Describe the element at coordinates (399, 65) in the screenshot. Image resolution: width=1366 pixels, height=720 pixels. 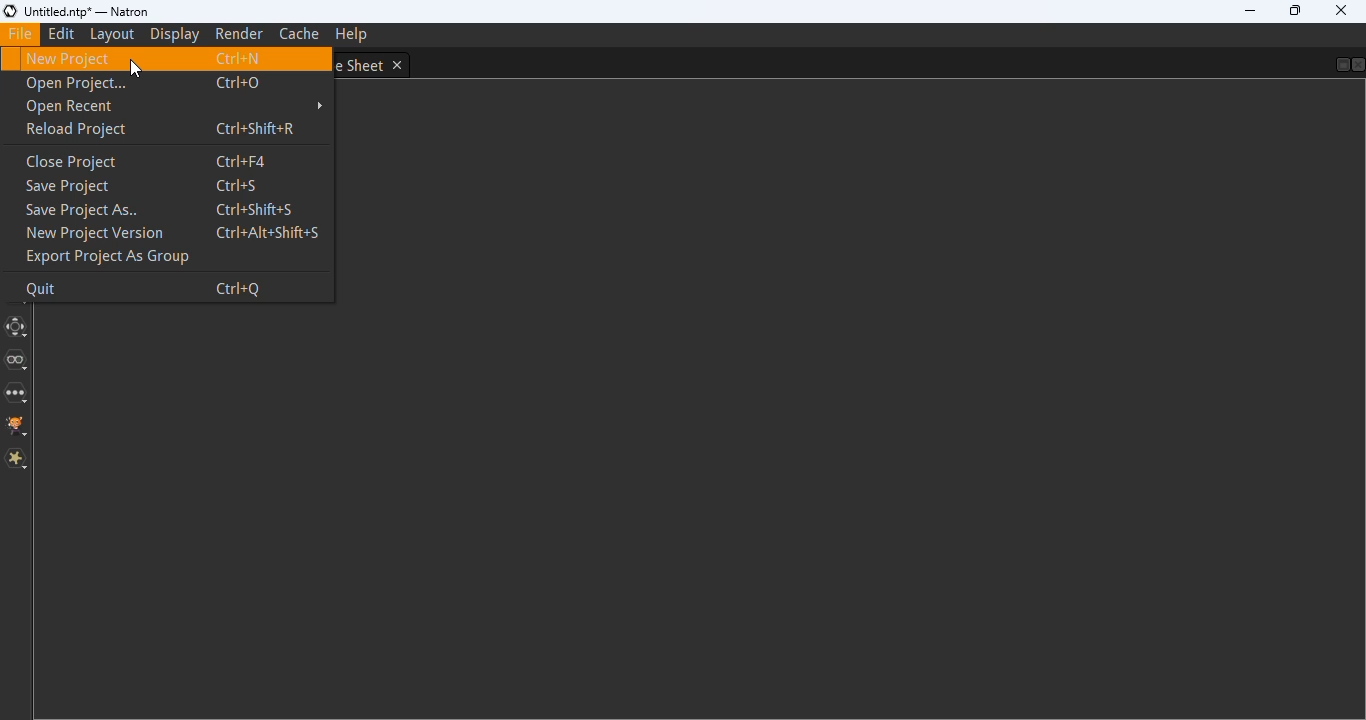
I see `close tab` at that location.